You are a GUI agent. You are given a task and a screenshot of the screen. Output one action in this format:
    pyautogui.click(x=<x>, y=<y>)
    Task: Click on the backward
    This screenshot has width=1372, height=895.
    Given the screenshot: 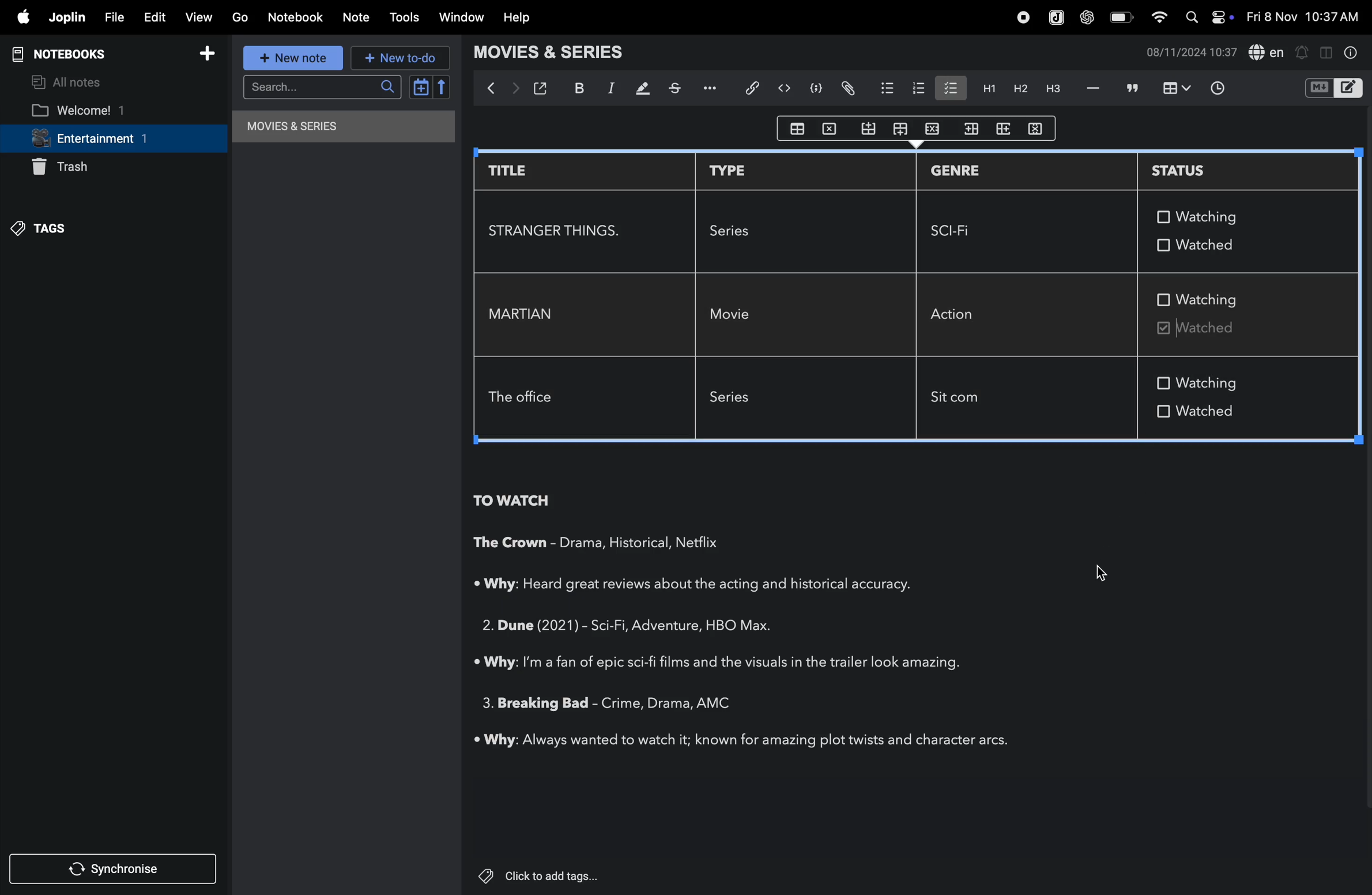 What is the action you would take?
    pyautogui.click(x=490, y=92)
    